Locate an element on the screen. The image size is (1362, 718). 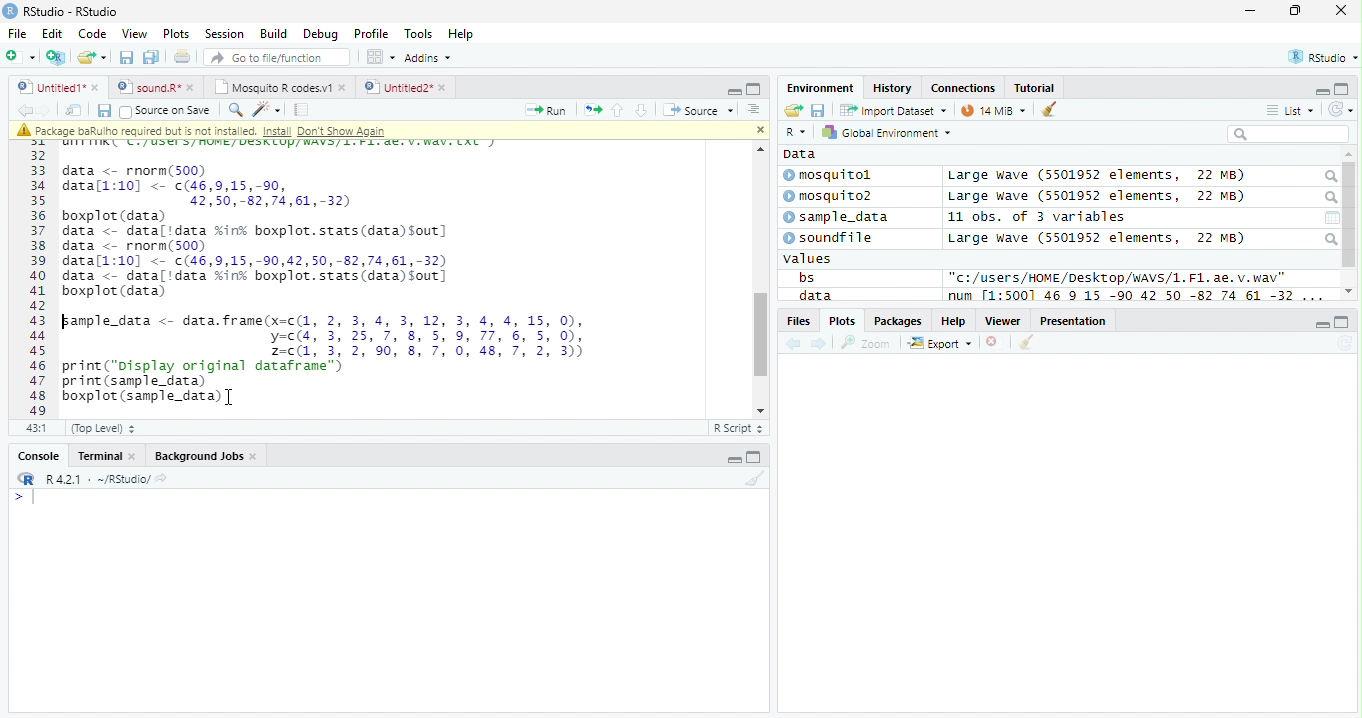
data is located at coordinates (813, 295).